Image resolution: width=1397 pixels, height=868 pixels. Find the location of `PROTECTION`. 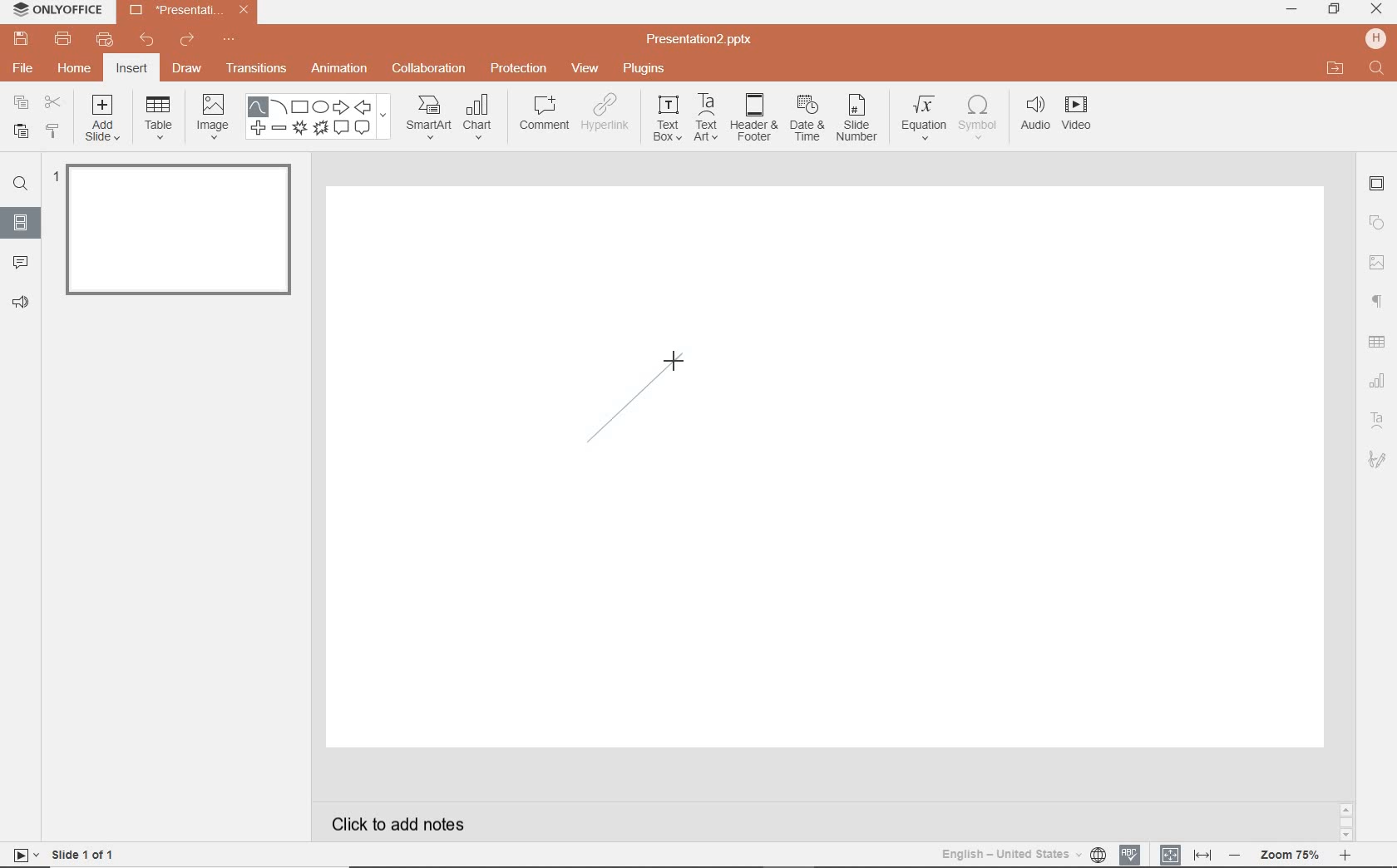

PROTECTION is located at coordinates (519, 68).